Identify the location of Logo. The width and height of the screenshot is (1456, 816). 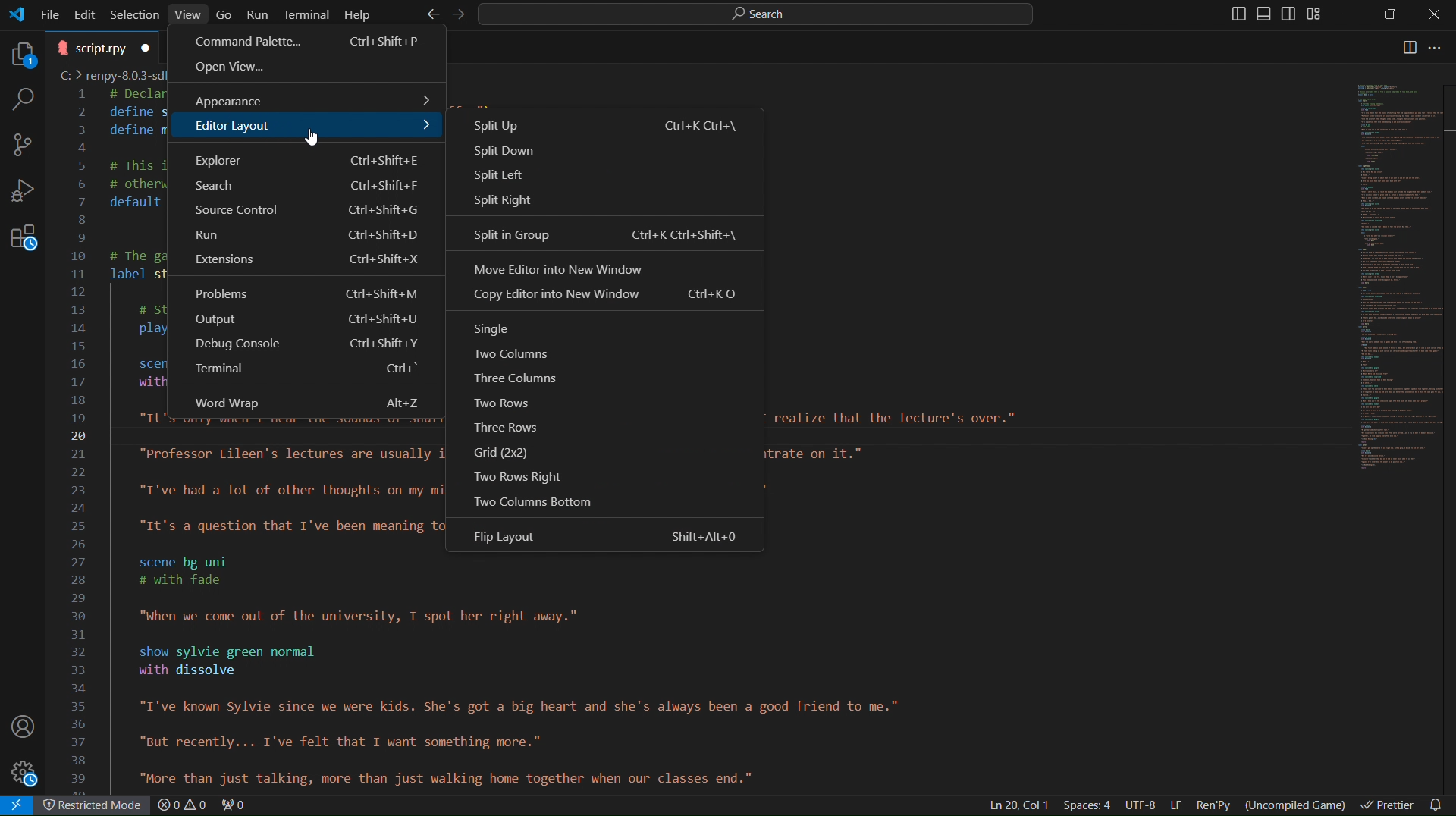
(17, 14).